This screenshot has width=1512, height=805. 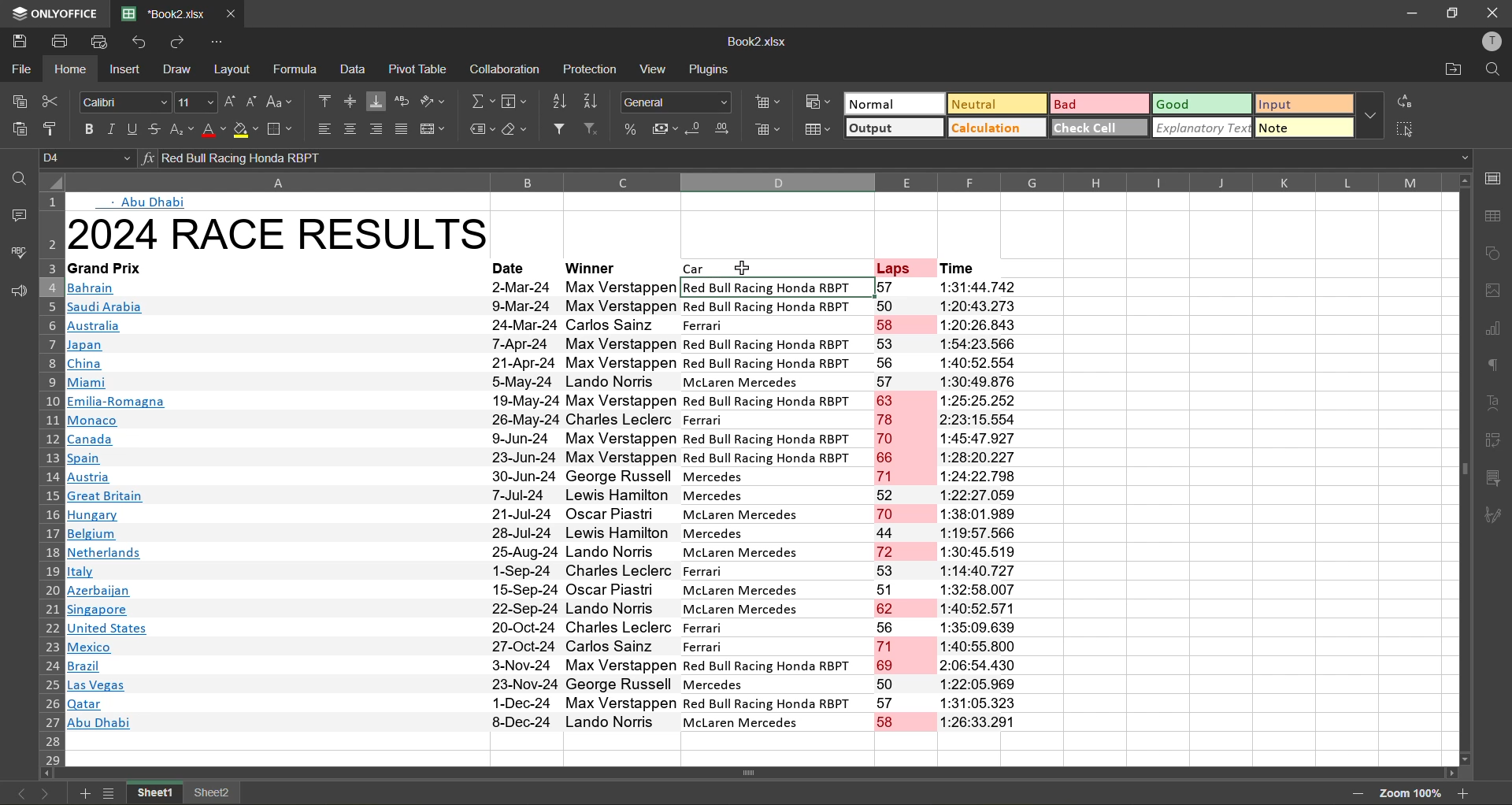 I want to click on save, so click(x=20, y=42).